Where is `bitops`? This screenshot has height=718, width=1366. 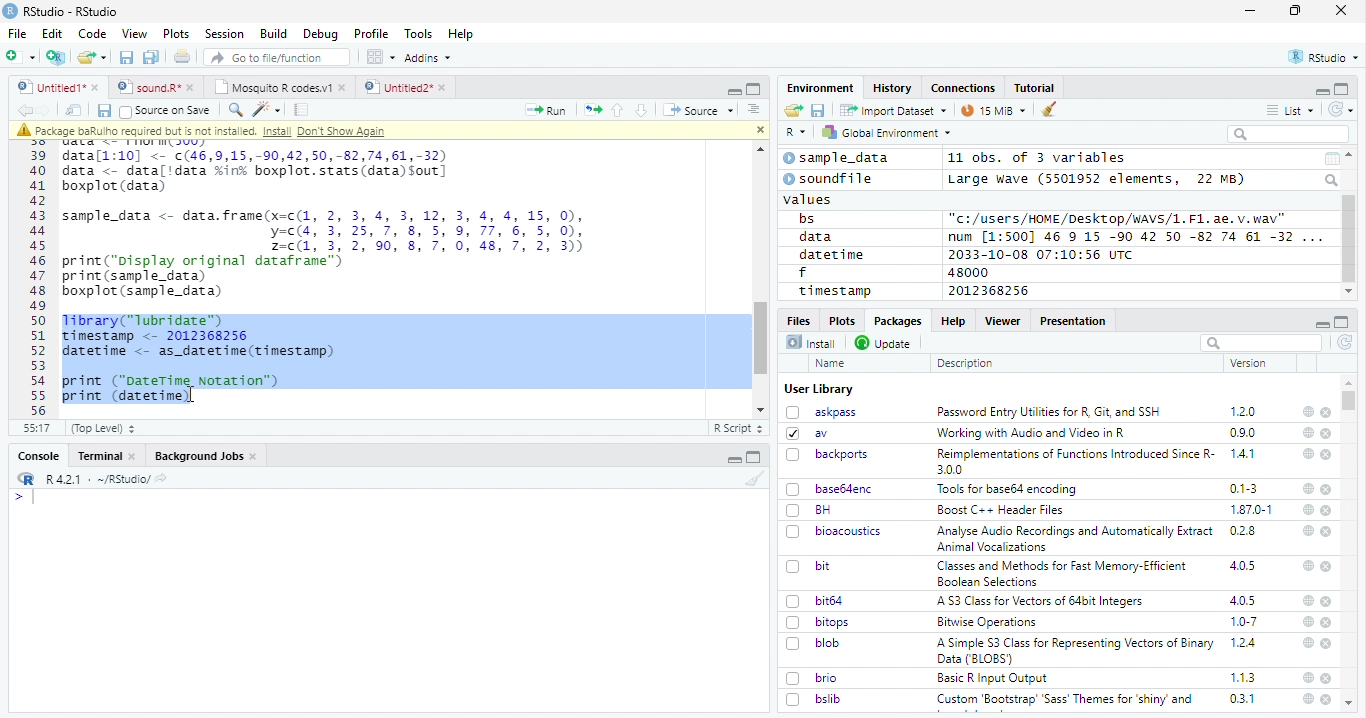 bitops is located at coordinates (819, 622).